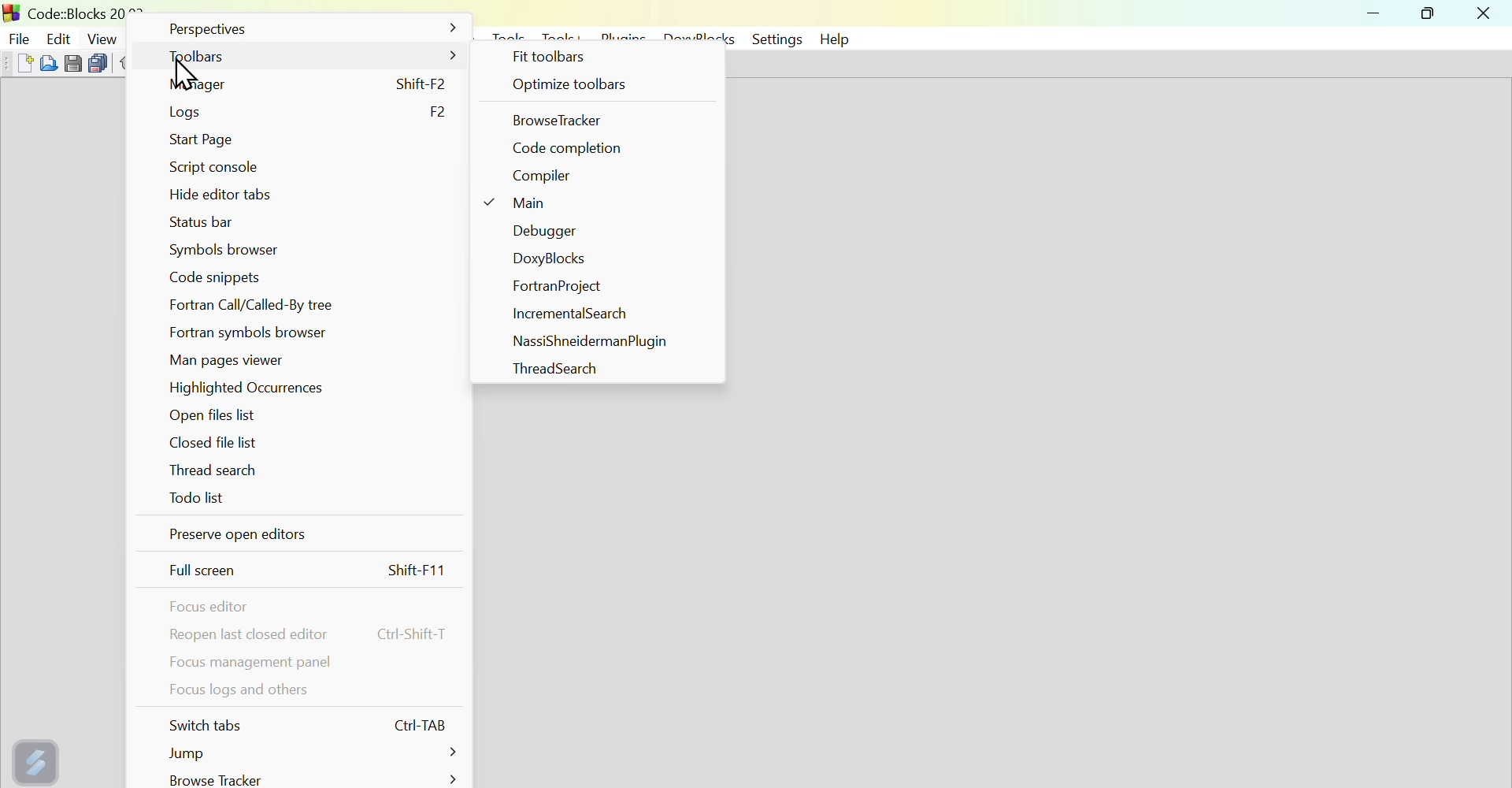  What do you see at coordinates (308, 28) in the screenshot?
I see `Perspectives` at bounding box center [308, 28].